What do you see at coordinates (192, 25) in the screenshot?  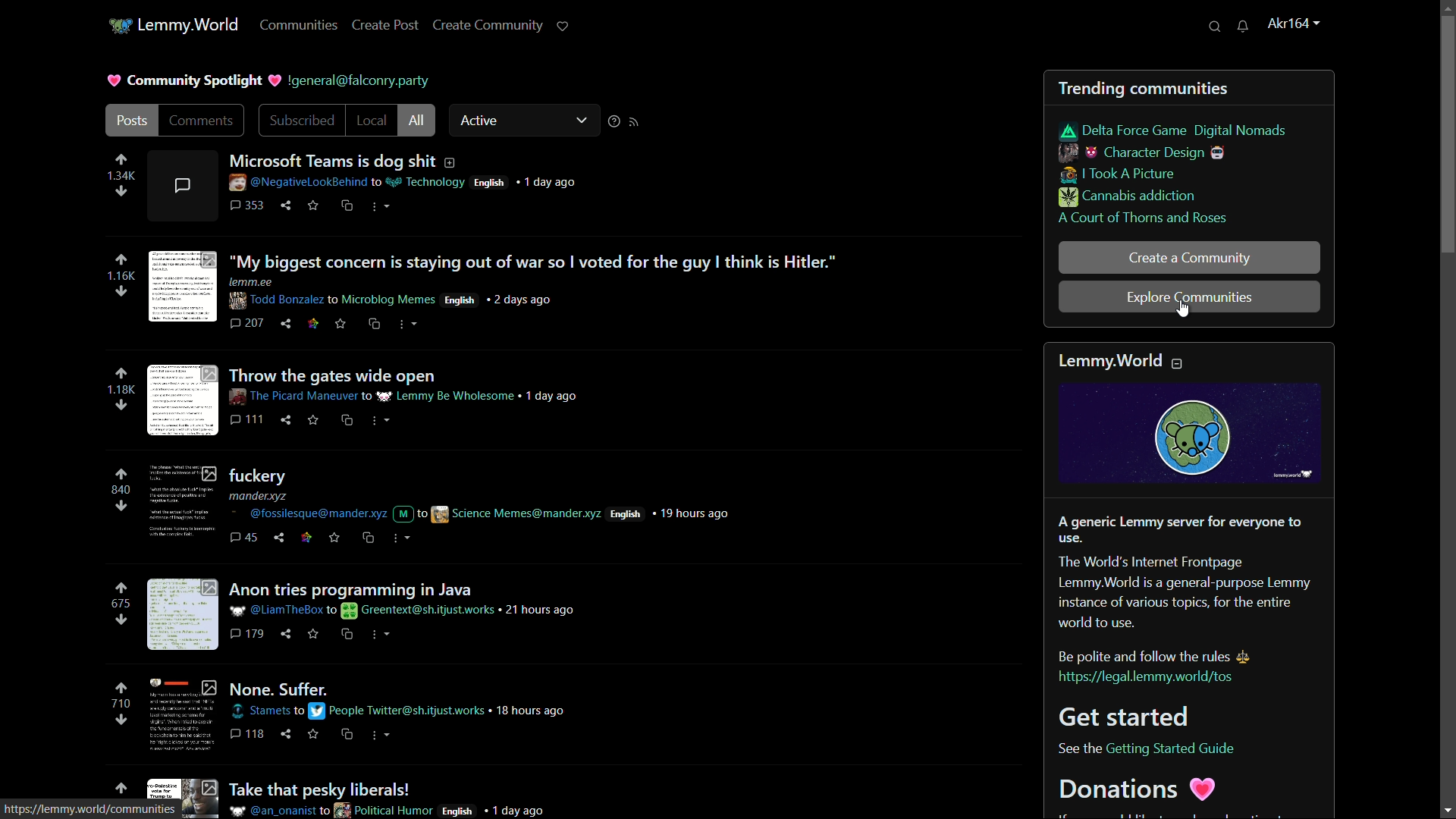 I see `lemmy.world` at bounding box center [192, 25].